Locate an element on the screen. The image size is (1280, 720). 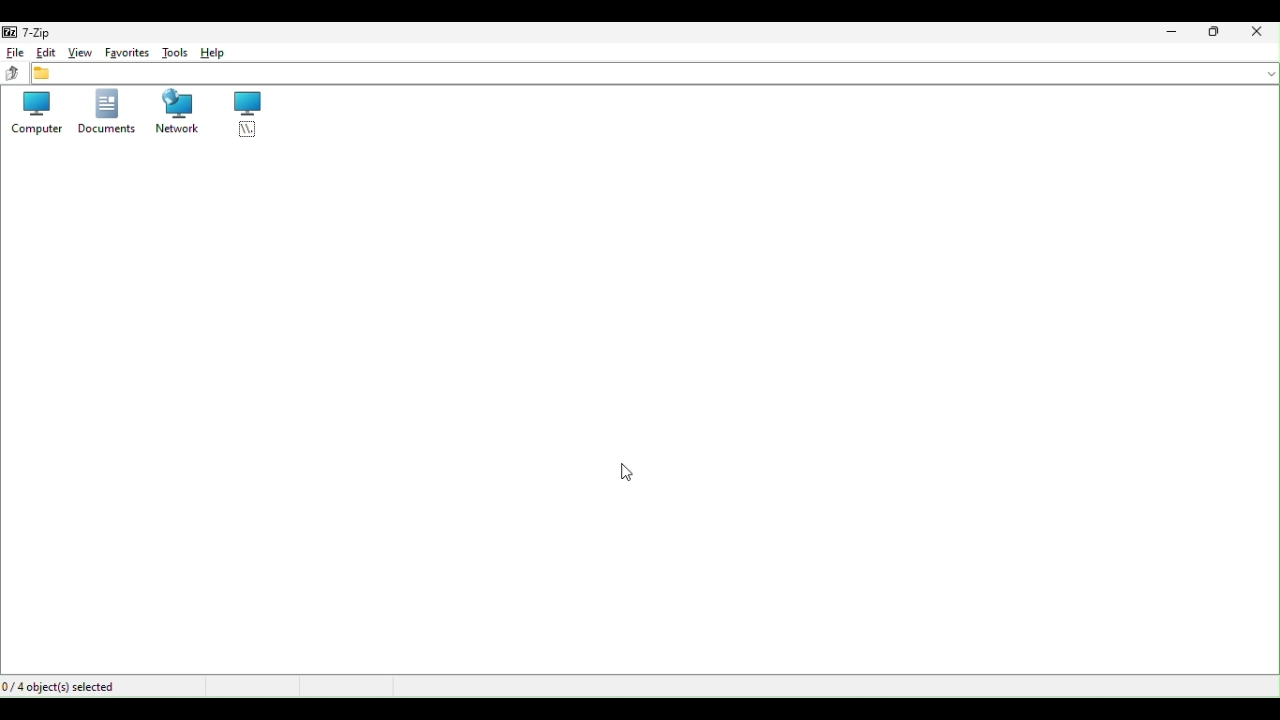
View is located at coordinates (79, 53).